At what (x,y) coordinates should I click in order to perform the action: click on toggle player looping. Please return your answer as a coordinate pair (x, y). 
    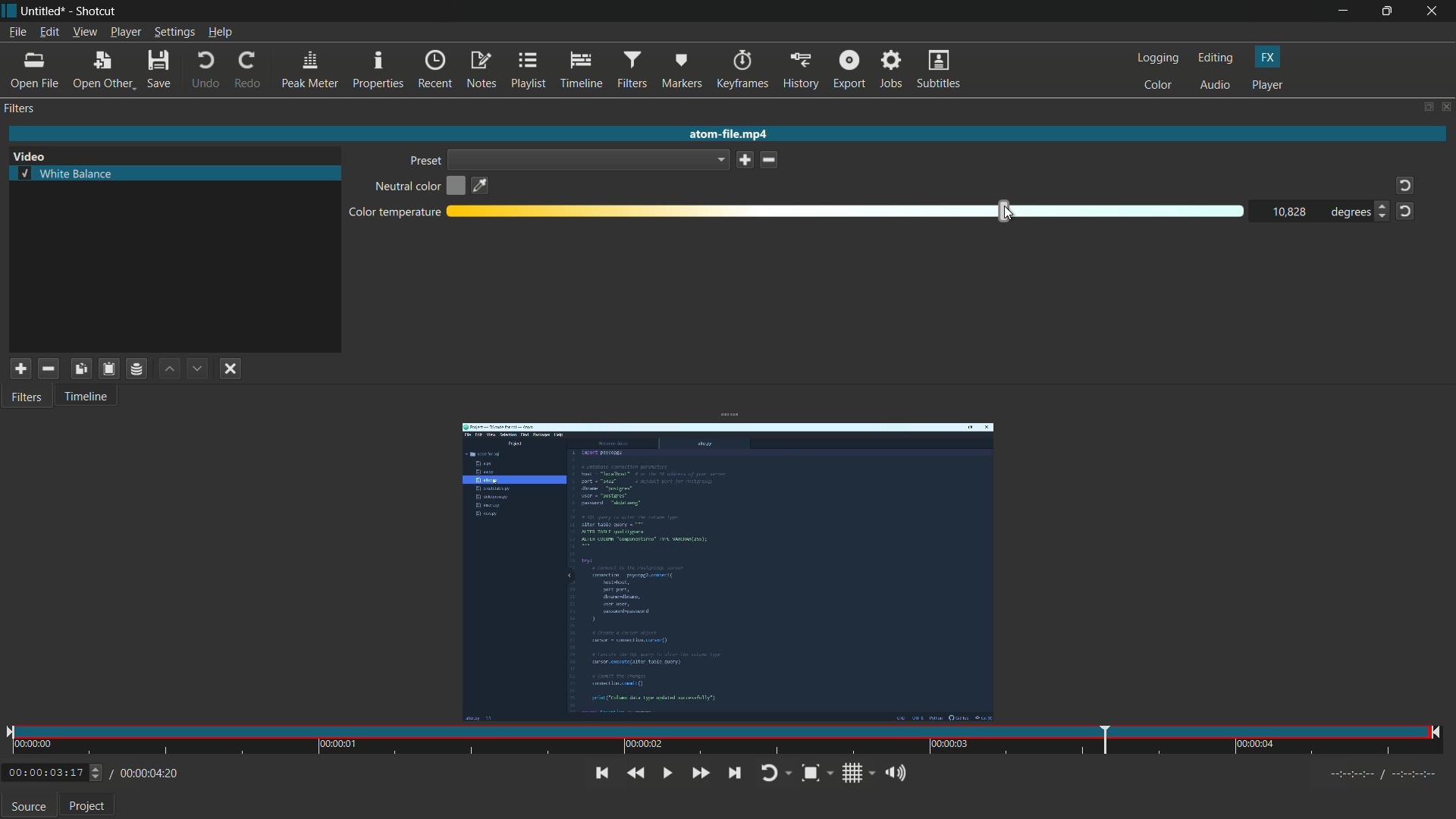
    Looking at the image, I should click on (777, 773).